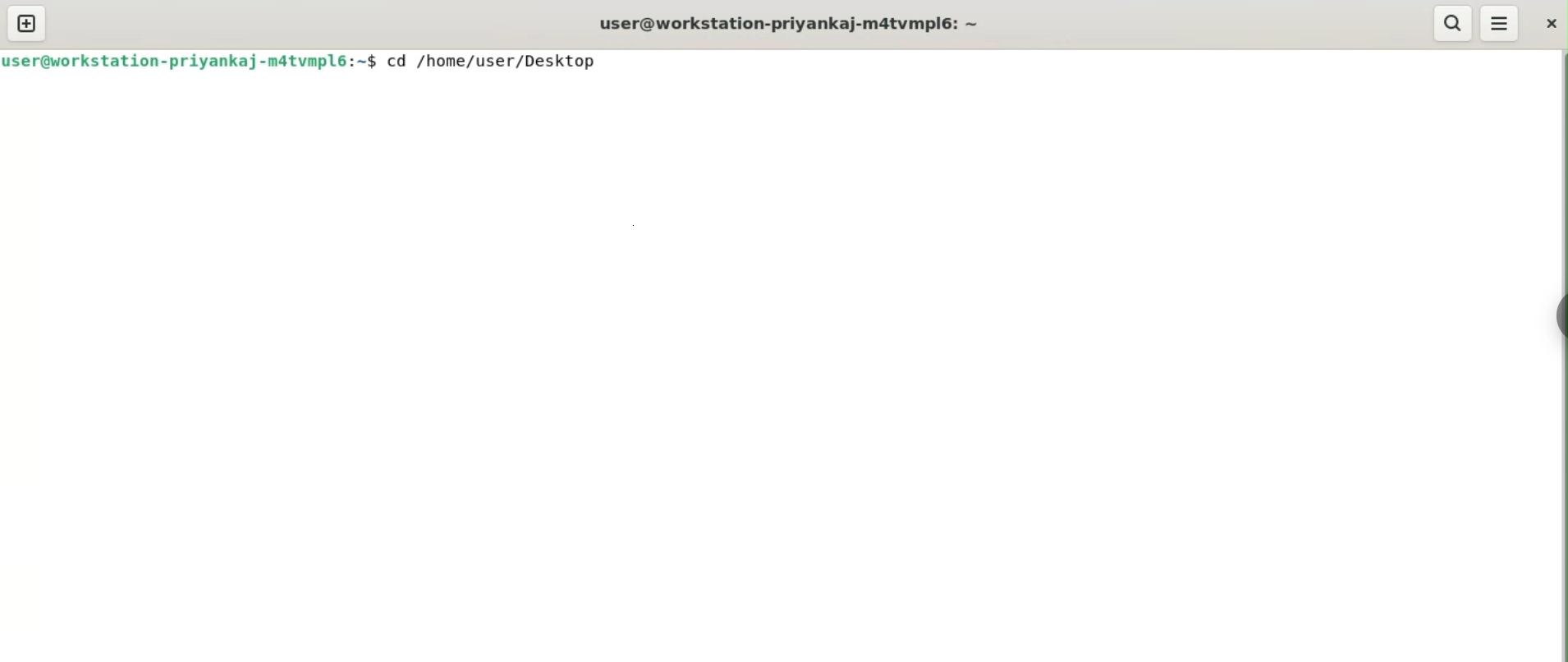 The width and height of the screenshot is (1568, 662). What do you see at coordinates (493, 63) in the screenshot?
I see `cd/home/user/desktop` at bounding box center [493, 63].